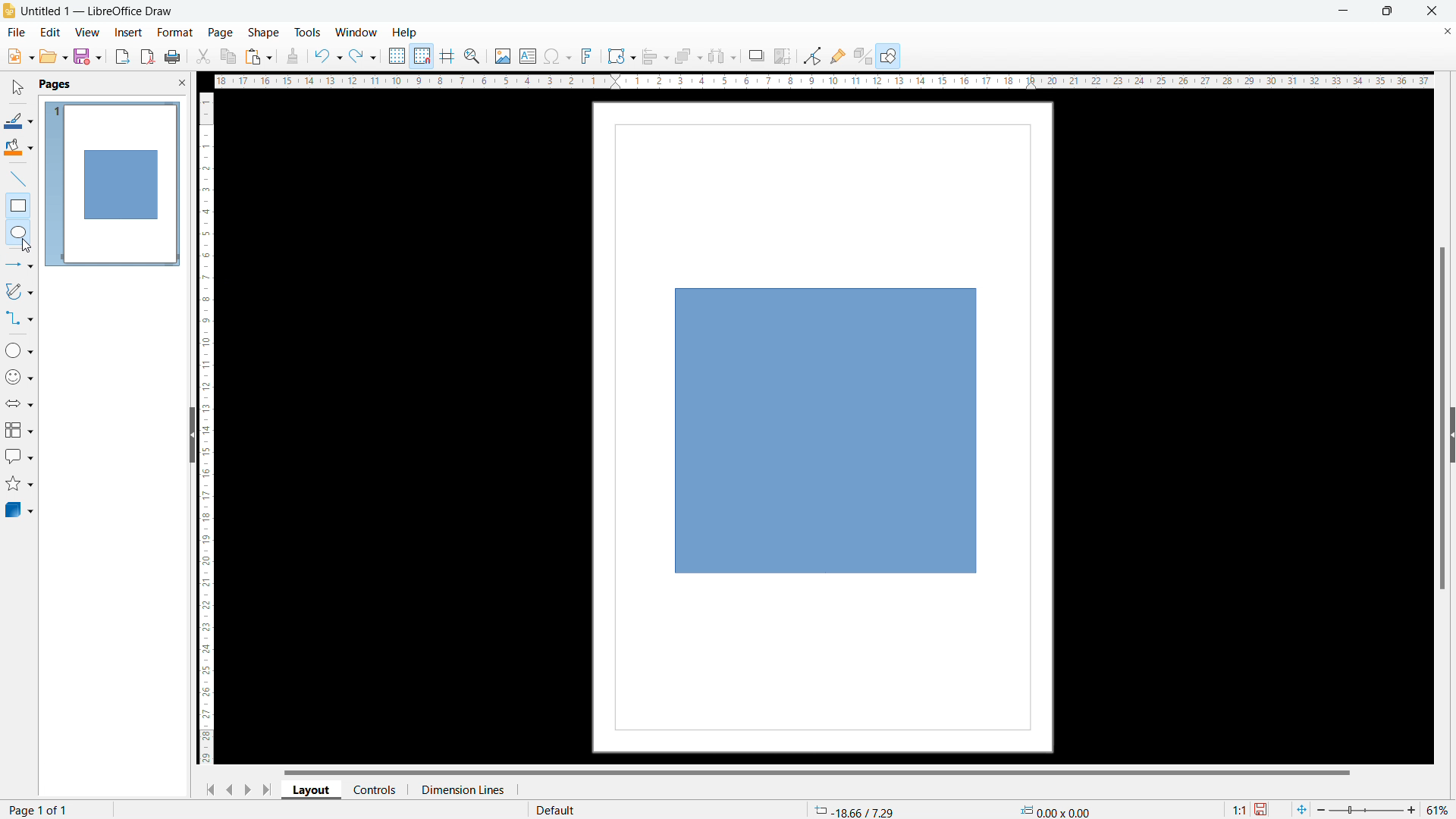  I want to click on file, so click(15, 33).